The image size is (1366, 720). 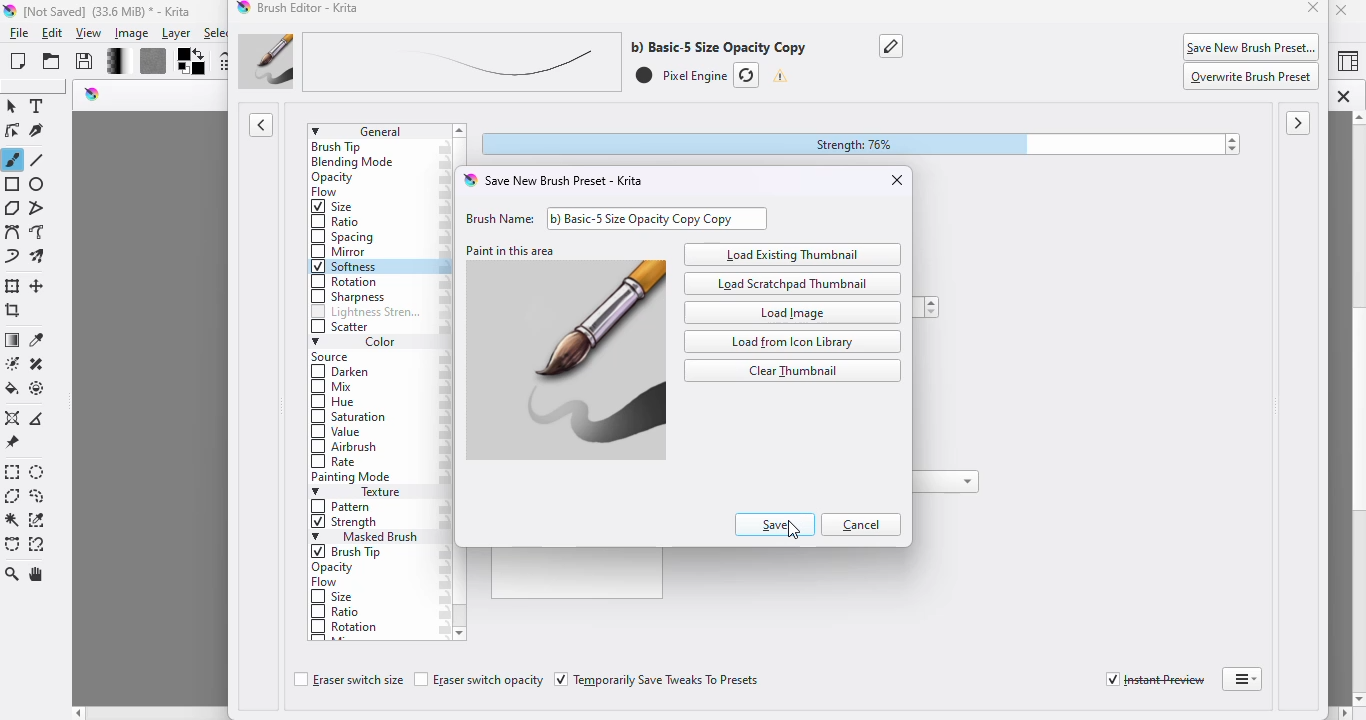 I want to click on vertical scroll bar, so click(x=461, y=616).